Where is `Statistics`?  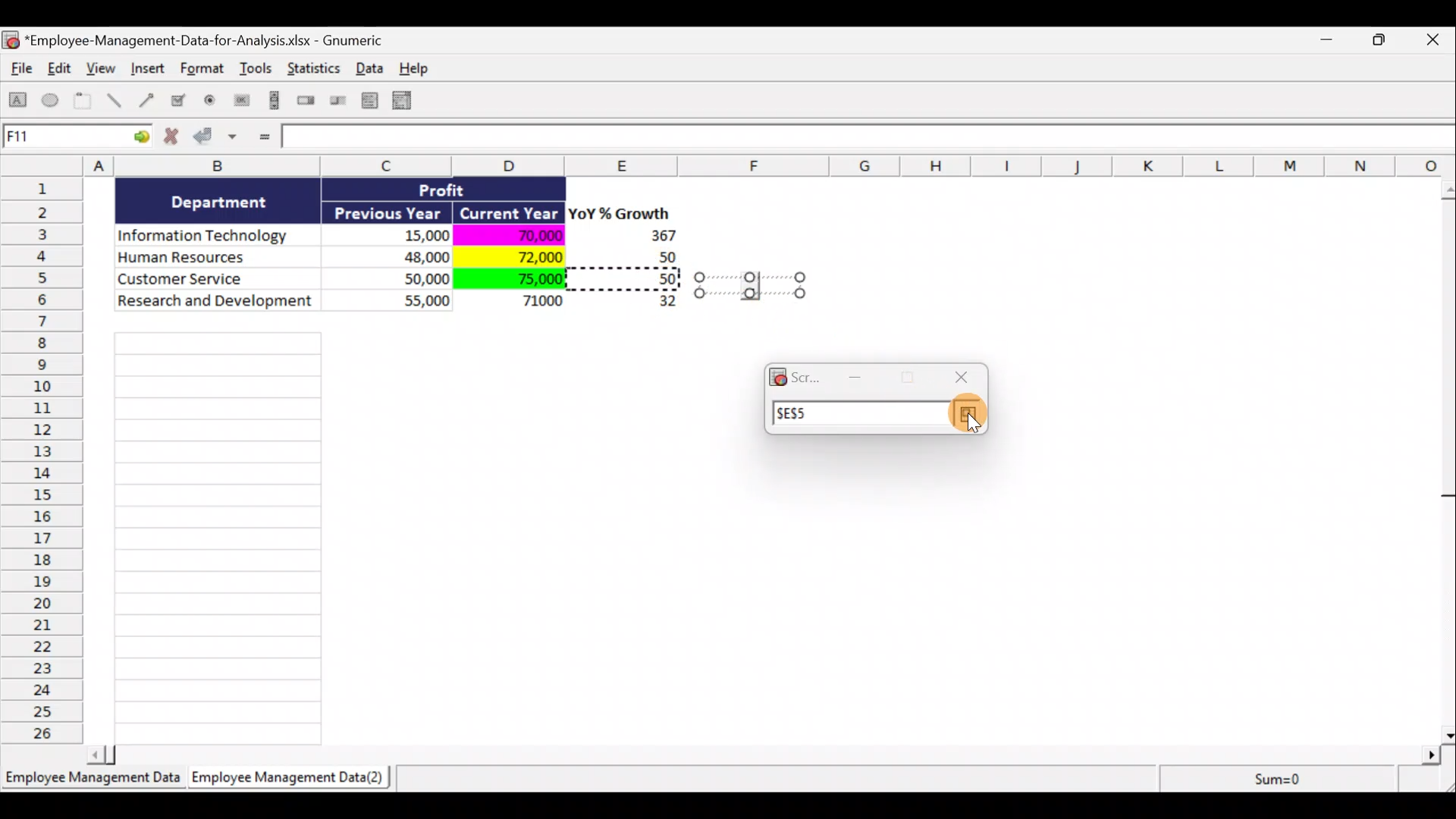
Statistics is located at coordinates (315, 73).